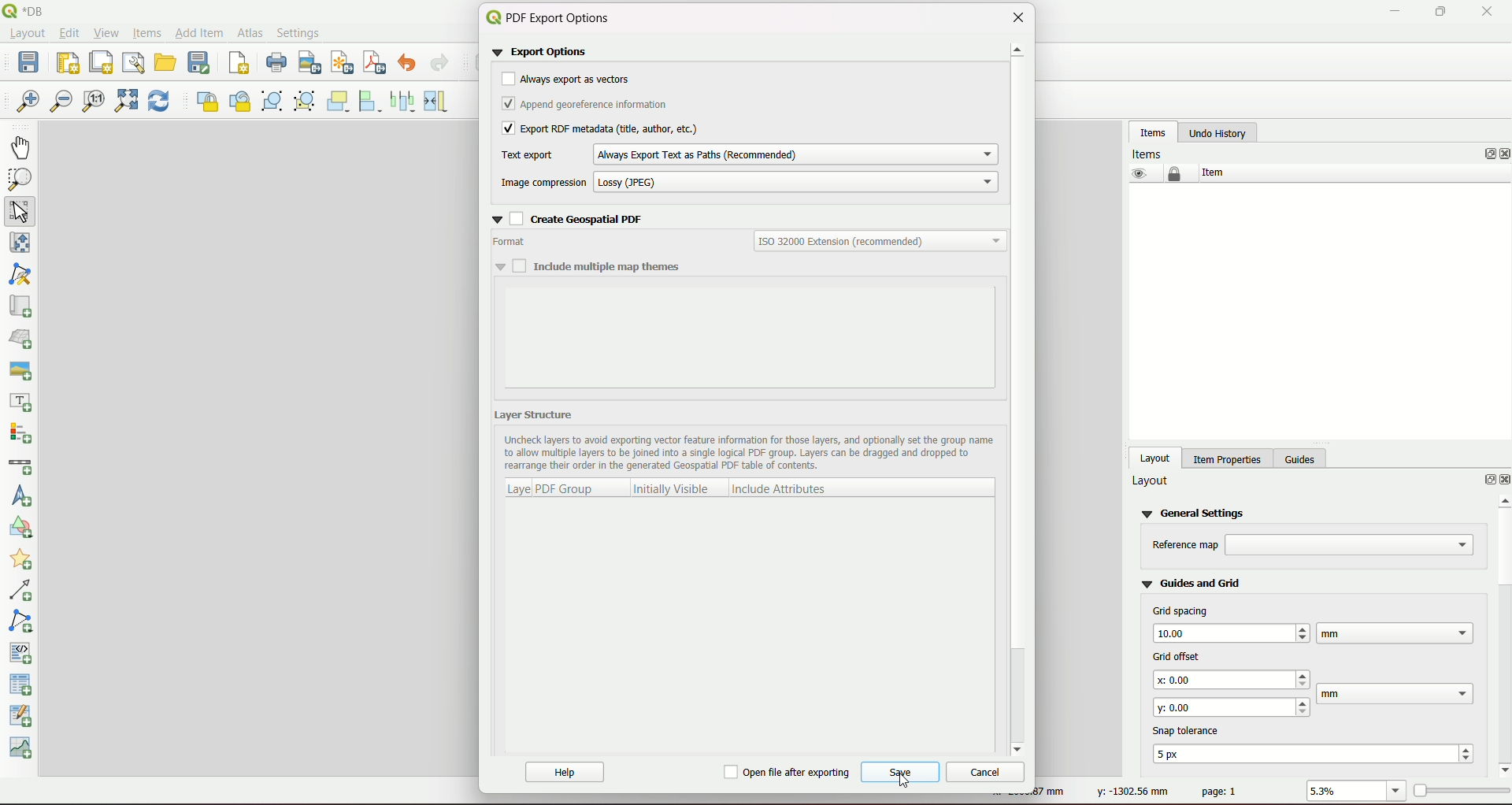  What do you see at coordinates (615, 128) in the screenshot?
I see `Export RDF metadata(title,author,etc)` at bounding box center [615, 128].